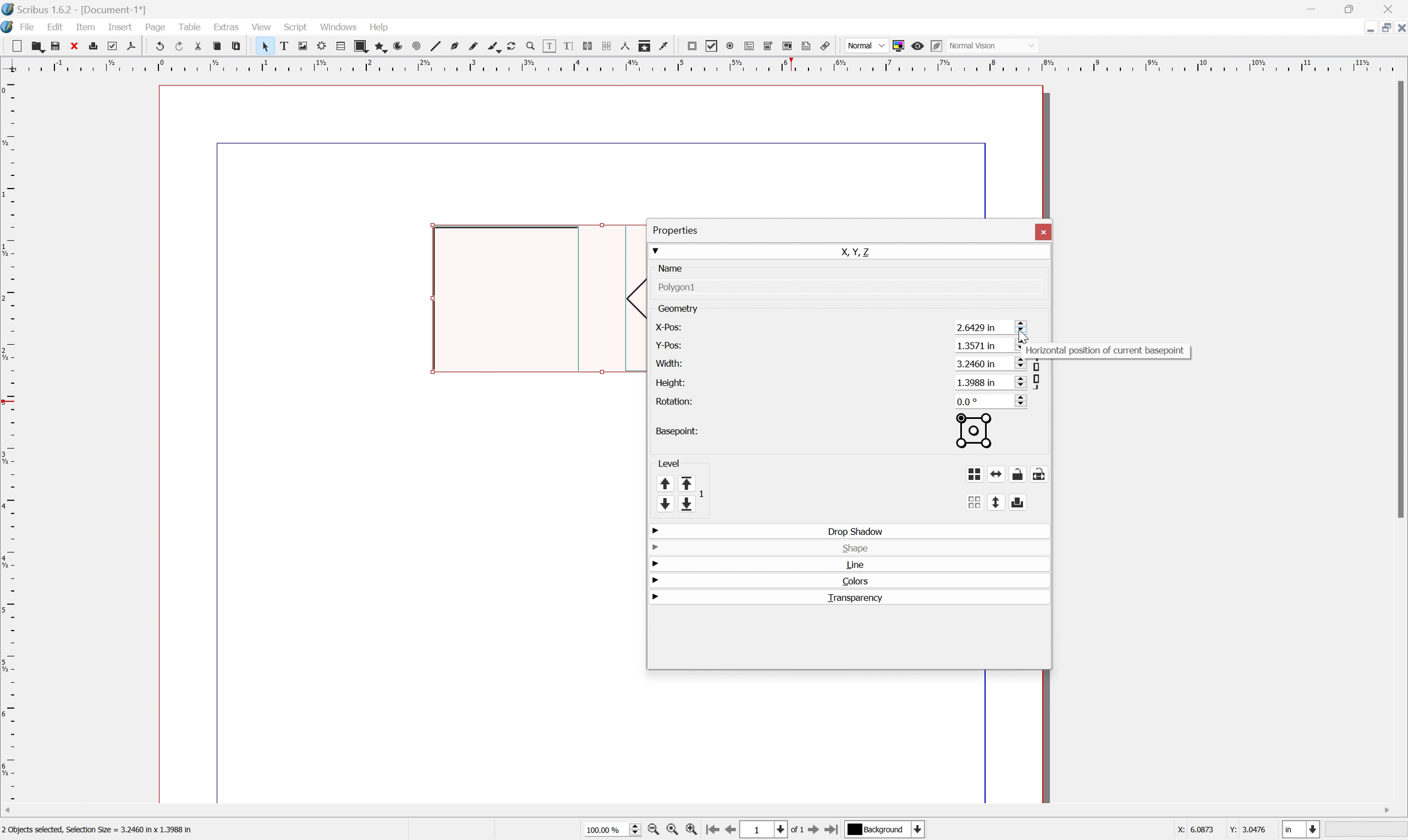 The image size is (1408, 840). What do you see at coordinates (38, 45) in the screenshot?
I see `open` at bounding box center [38, 45].